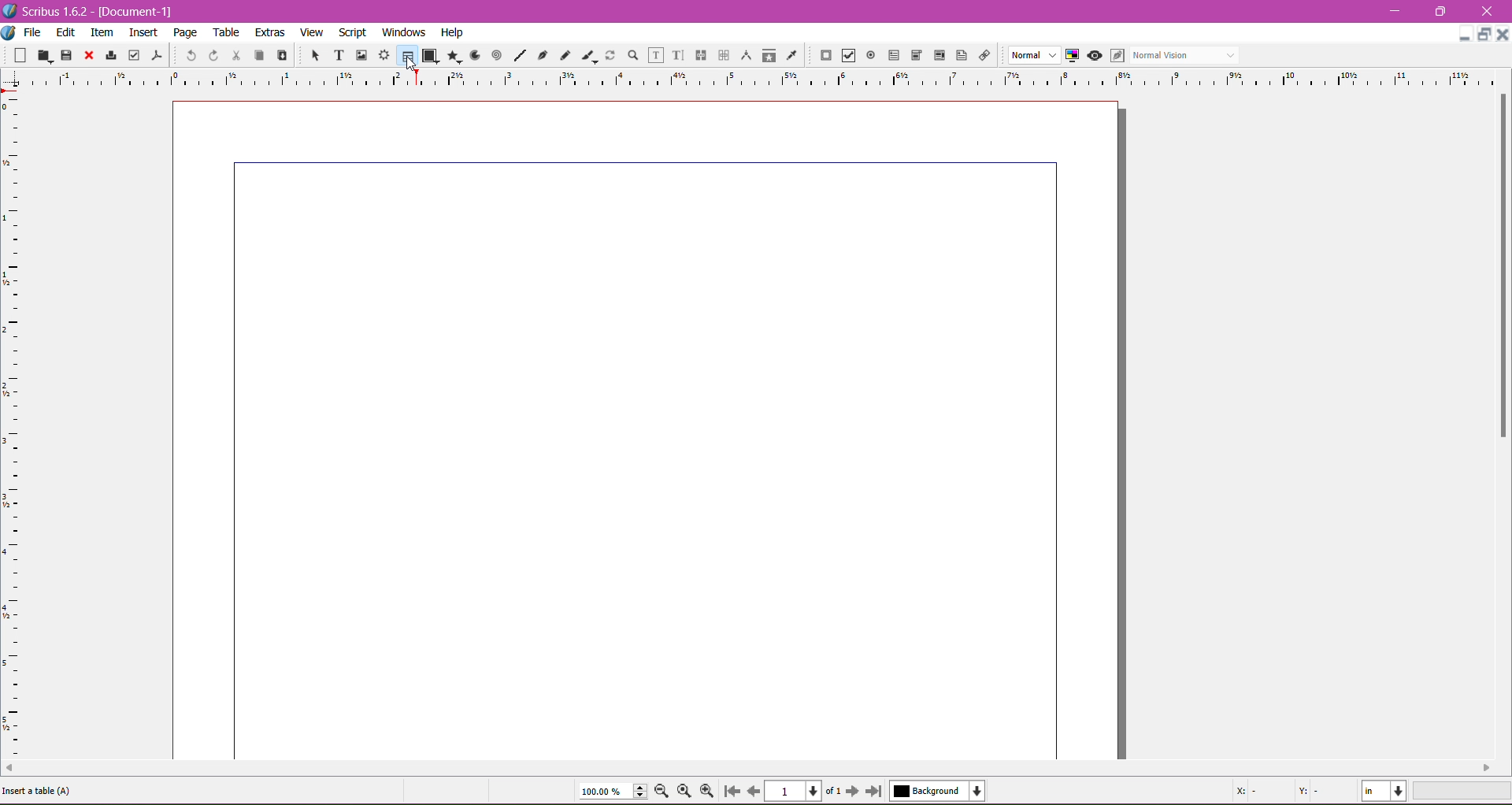  What do you see at coordinates (699, 55) in the screenshot?
I see `Link Text Frames` at bounding box center [699, 55].